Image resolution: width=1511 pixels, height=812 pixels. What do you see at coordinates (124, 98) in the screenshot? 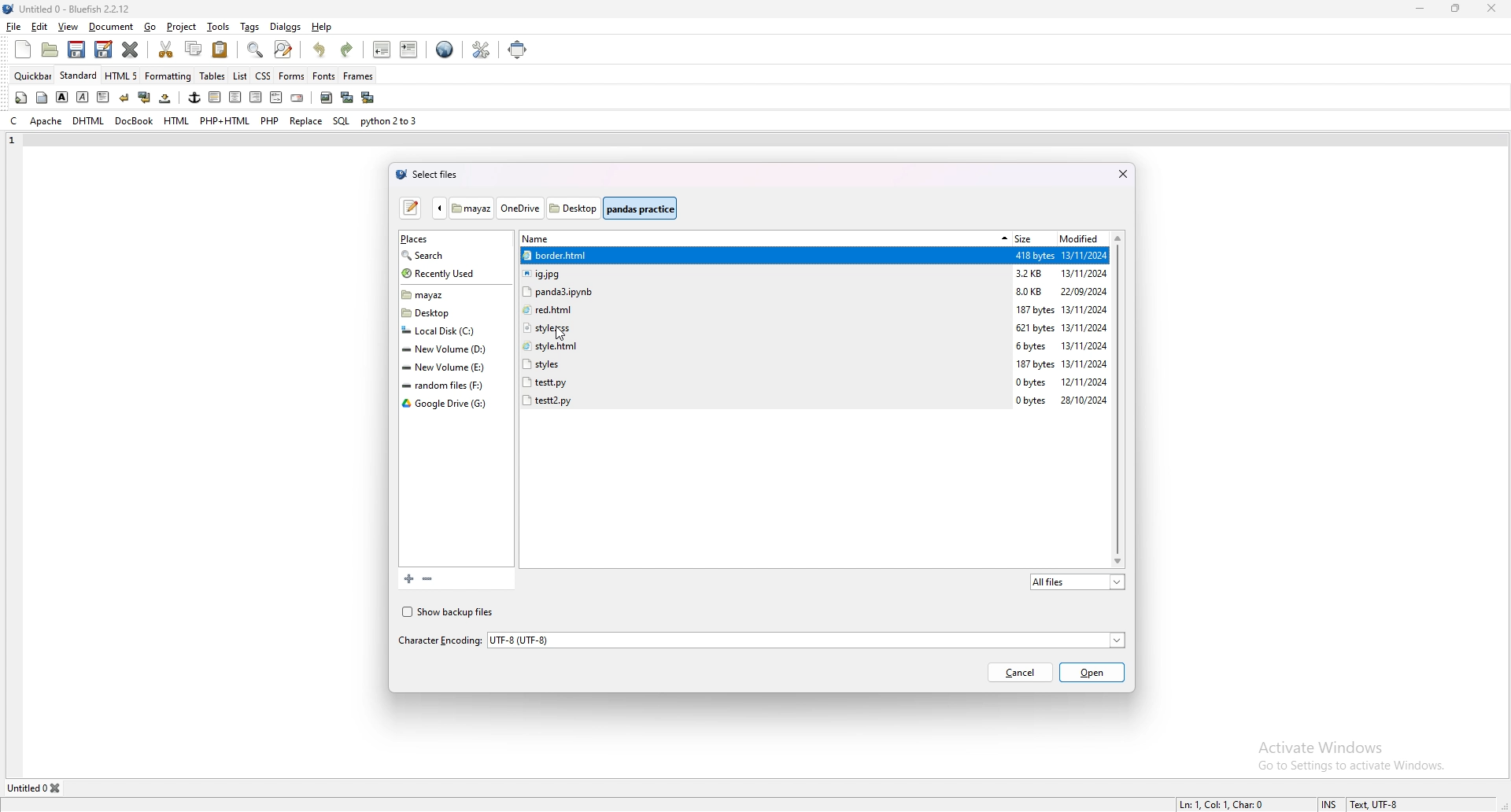
I see `break` at bounding box center [124, 98].